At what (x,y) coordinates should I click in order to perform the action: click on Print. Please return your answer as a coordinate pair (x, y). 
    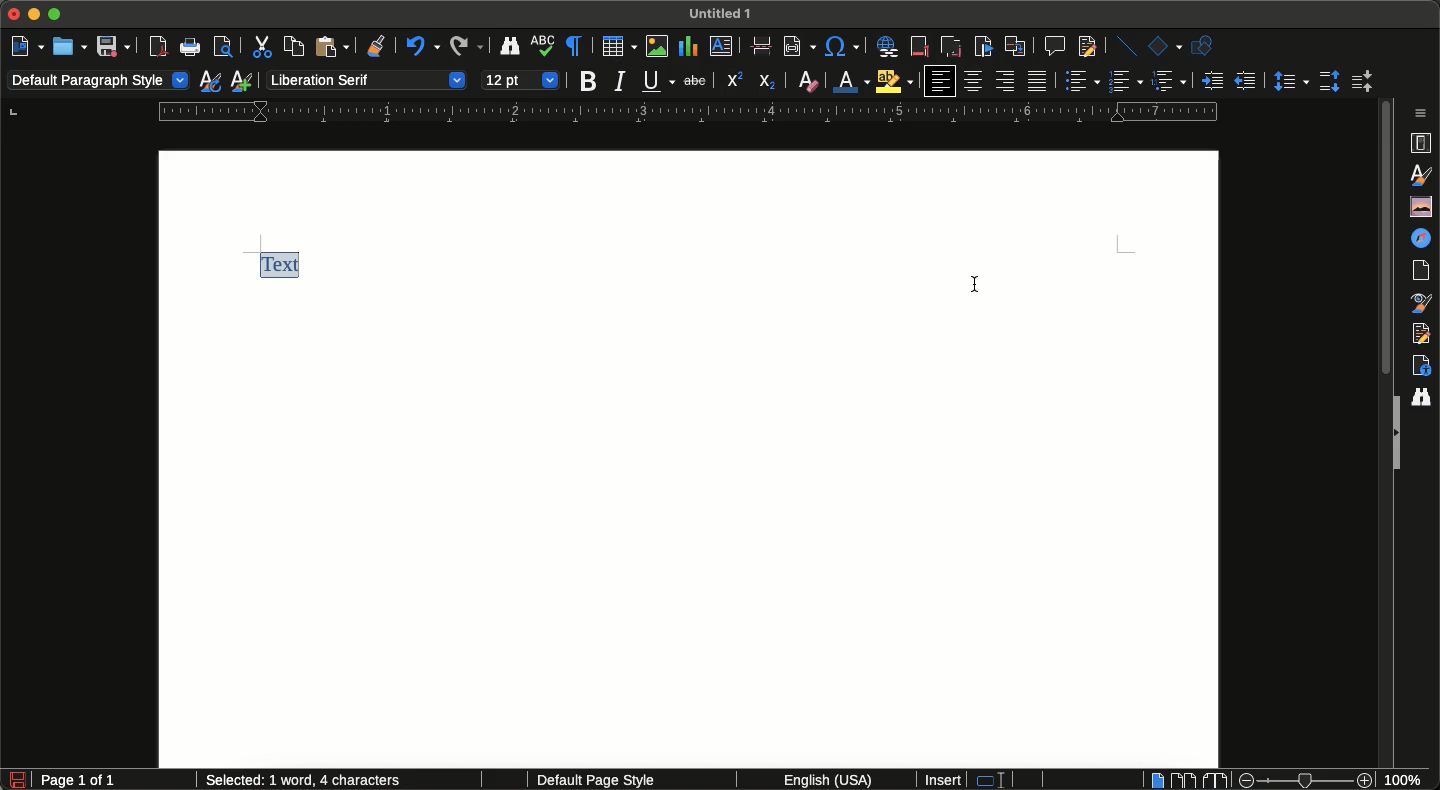
    Looking at the image, I should click on (192, 49).